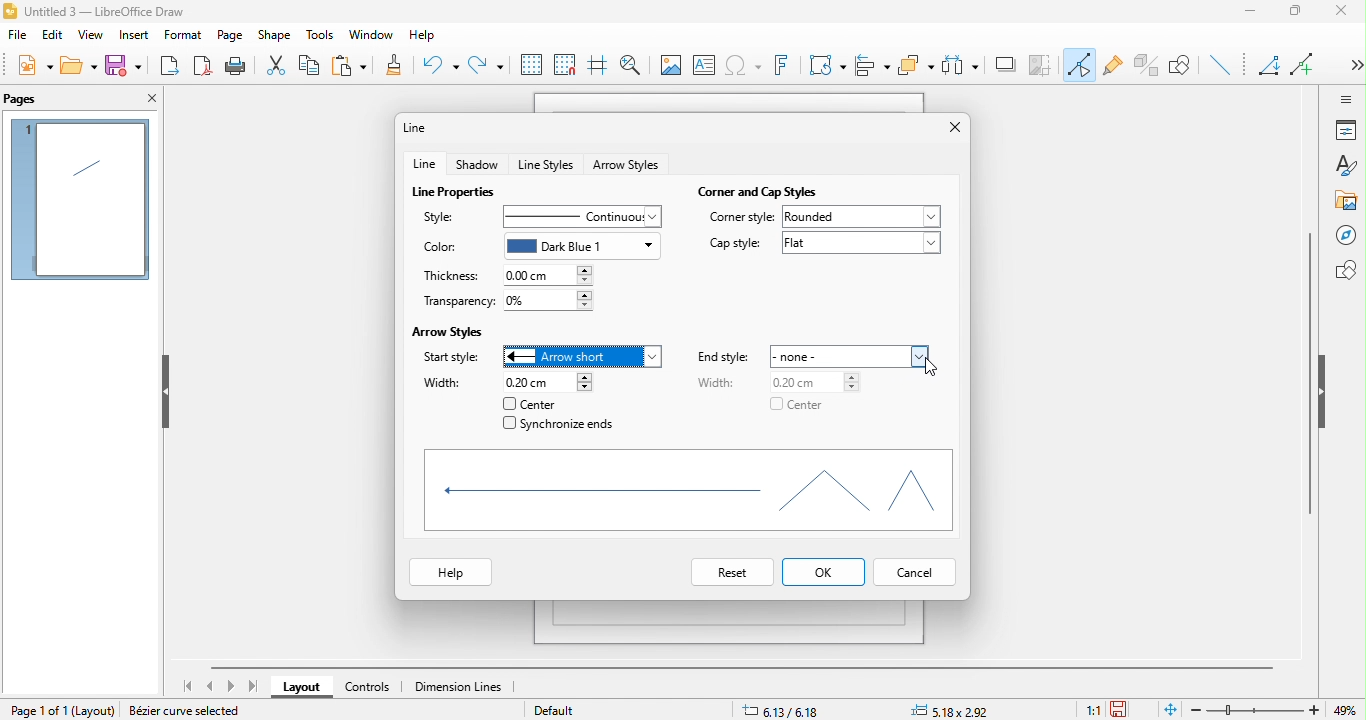  I want to click on ok, so click(825, 571).